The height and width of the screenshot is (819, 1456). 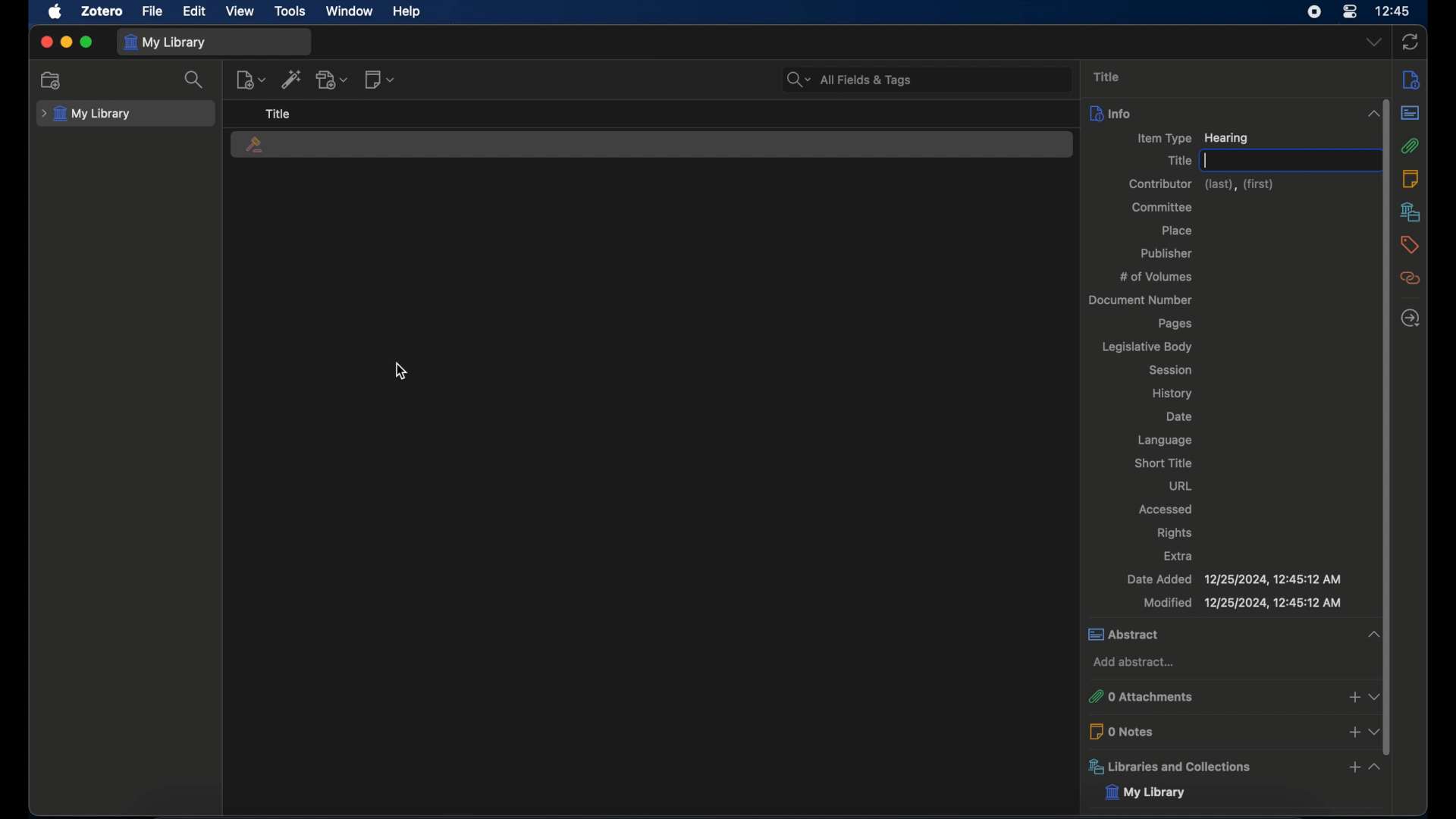 I want to click on attachments, so click(x=1411, y=146).